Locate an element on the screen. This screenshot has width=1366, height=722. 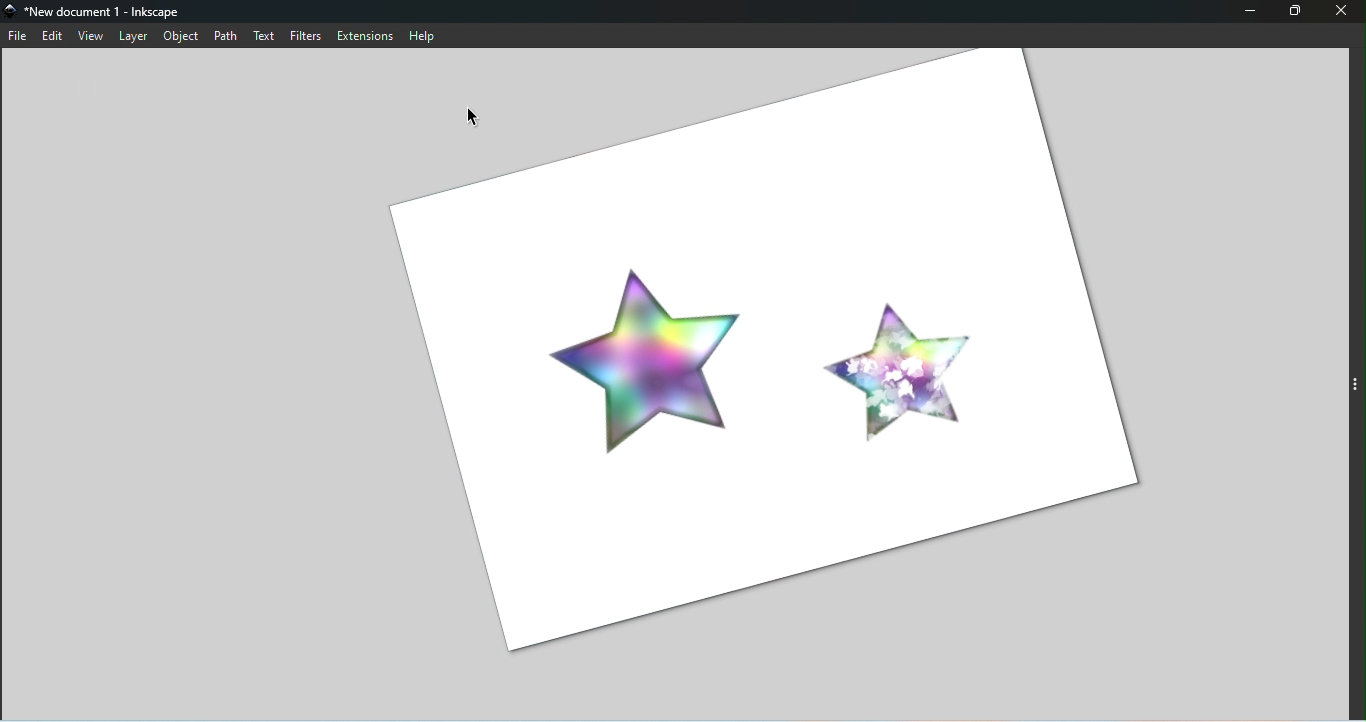
Path is located at coordinates (225, 35).